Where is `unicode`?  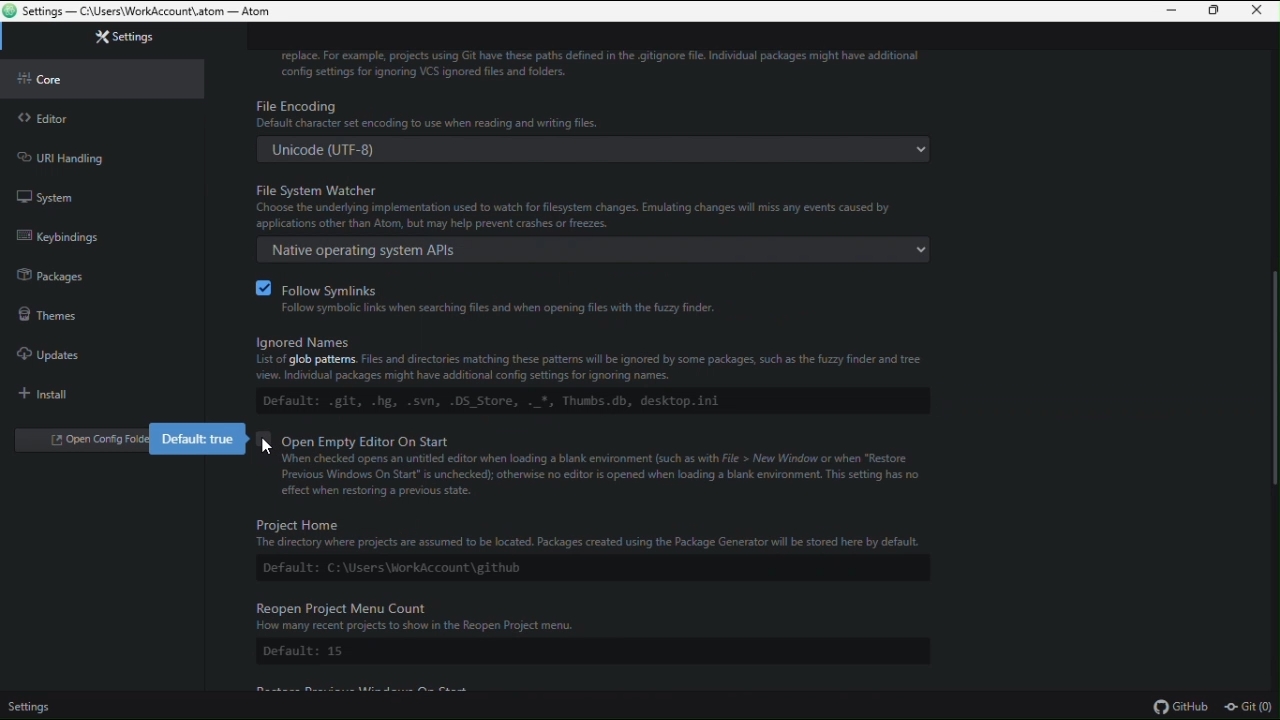 unicode is located at coordinates (597, 148).